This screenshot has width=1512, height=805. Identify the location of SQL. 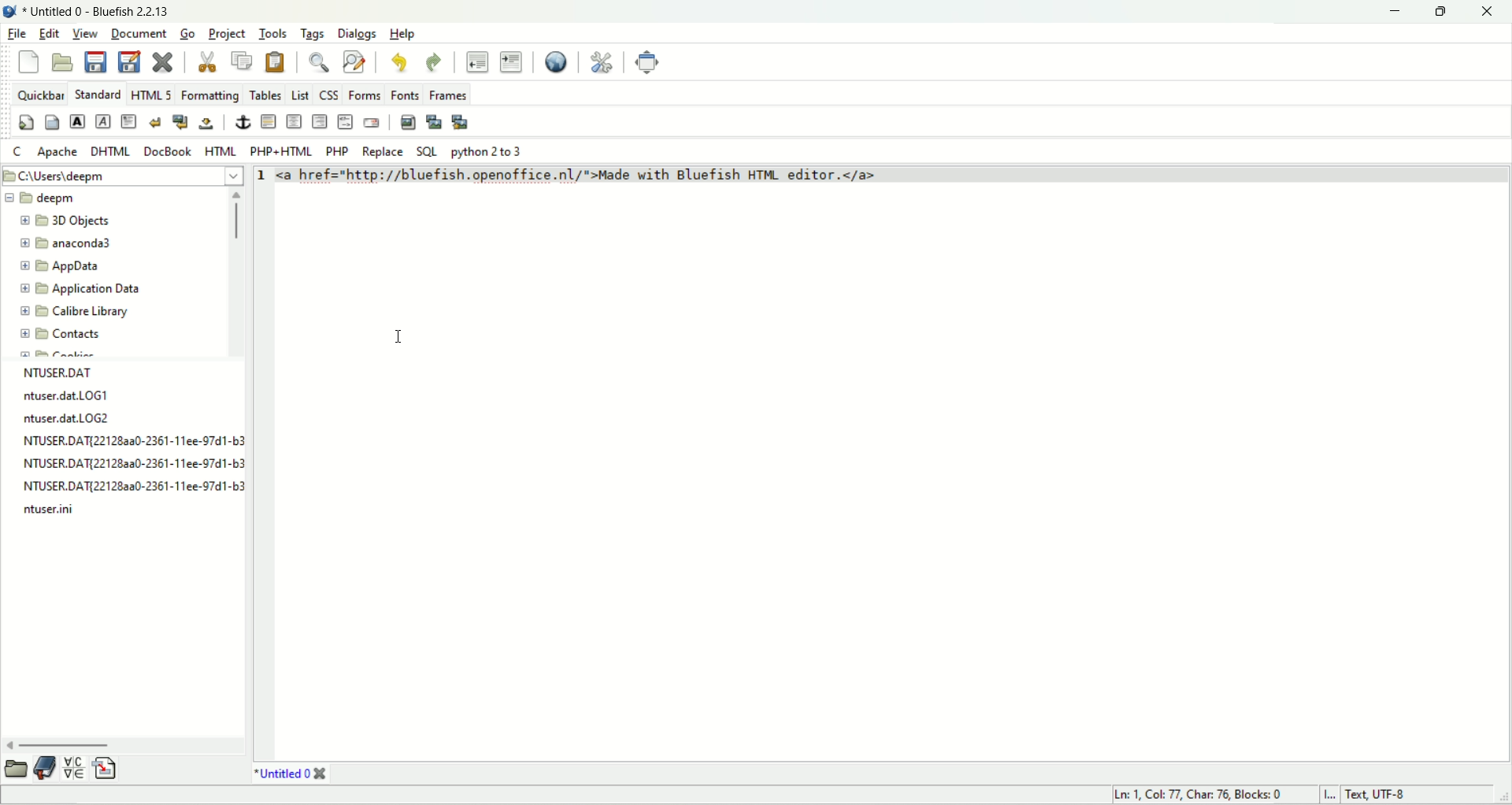
(425, 149).